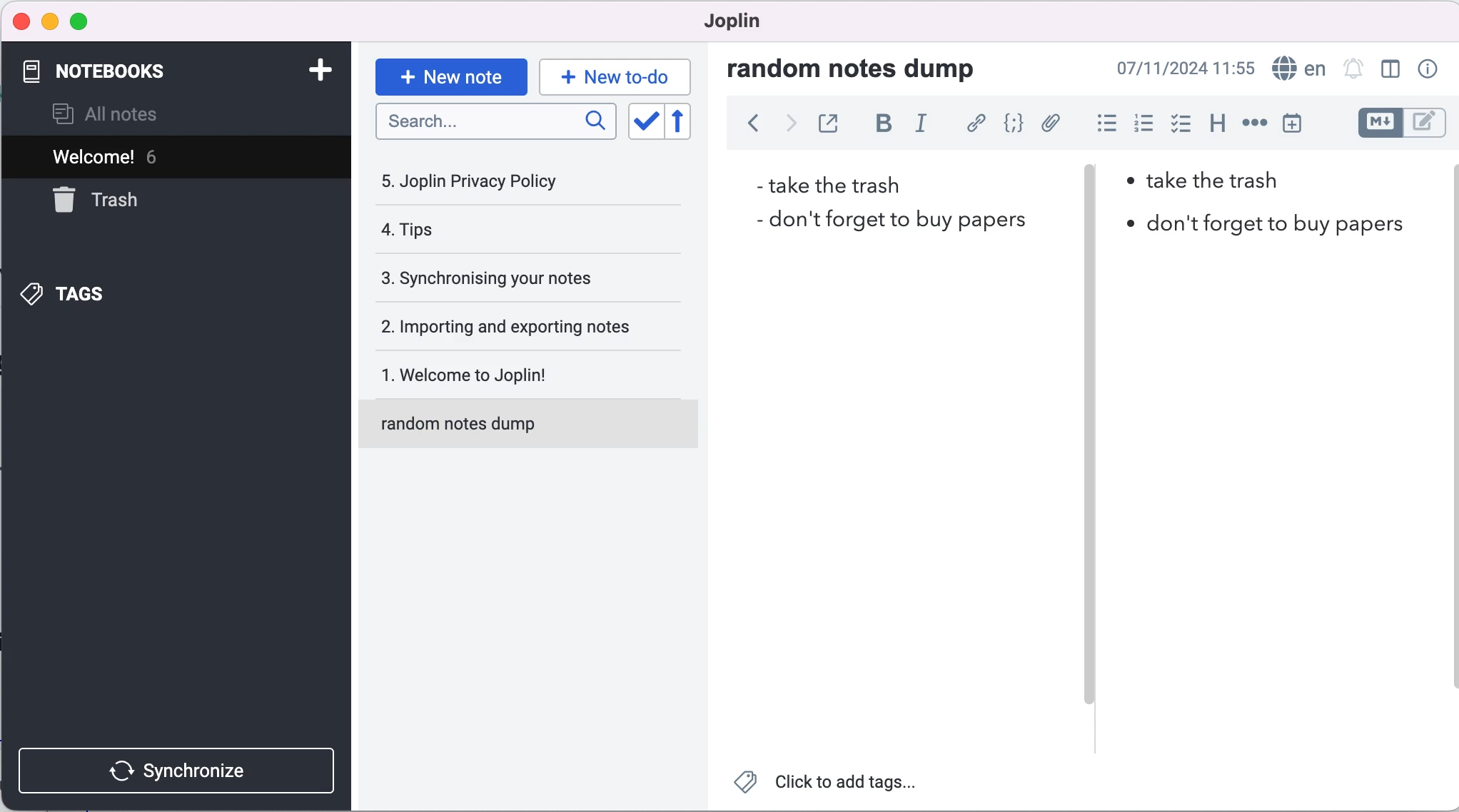 Image resolution: width=1459 pixels, height=812 pixels. I want to click on click to add tags, so click(832, 785).